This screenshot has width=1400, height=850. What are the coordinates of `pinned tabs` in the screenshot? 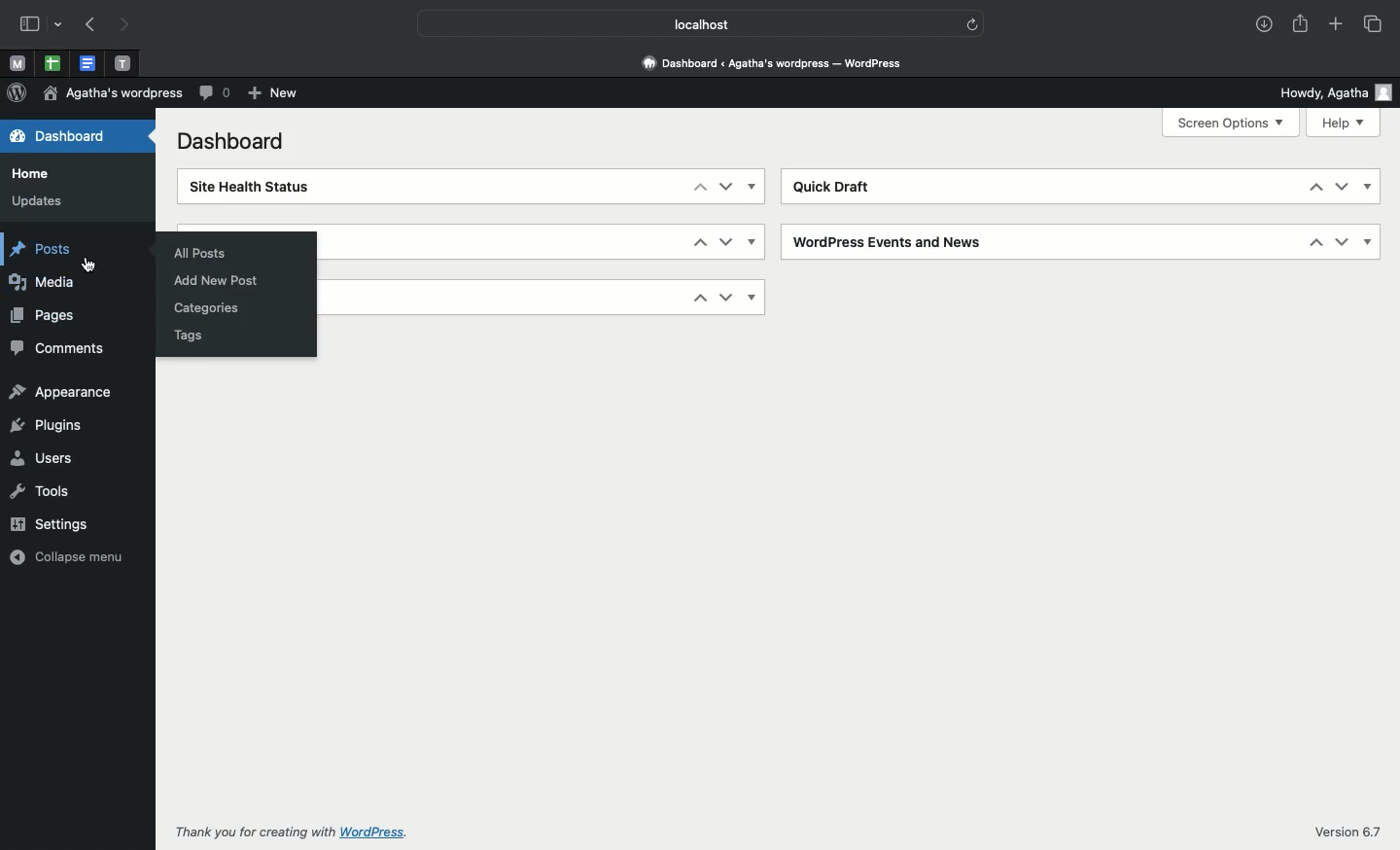 It's located at (87, 64).